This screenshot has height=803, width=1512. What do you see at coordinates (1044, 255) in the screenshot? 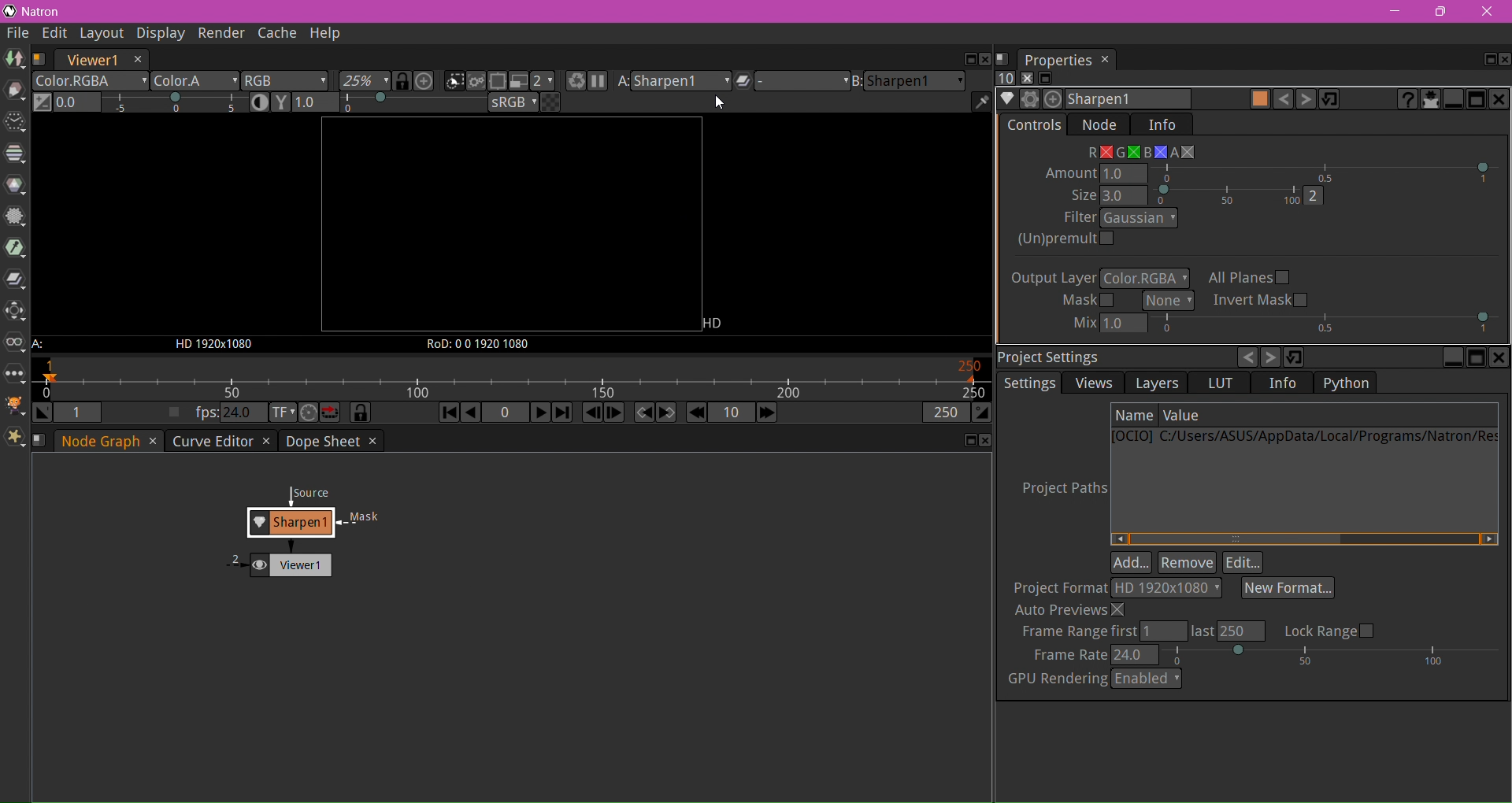
I see `premult` at bounding box center [1044, 255].